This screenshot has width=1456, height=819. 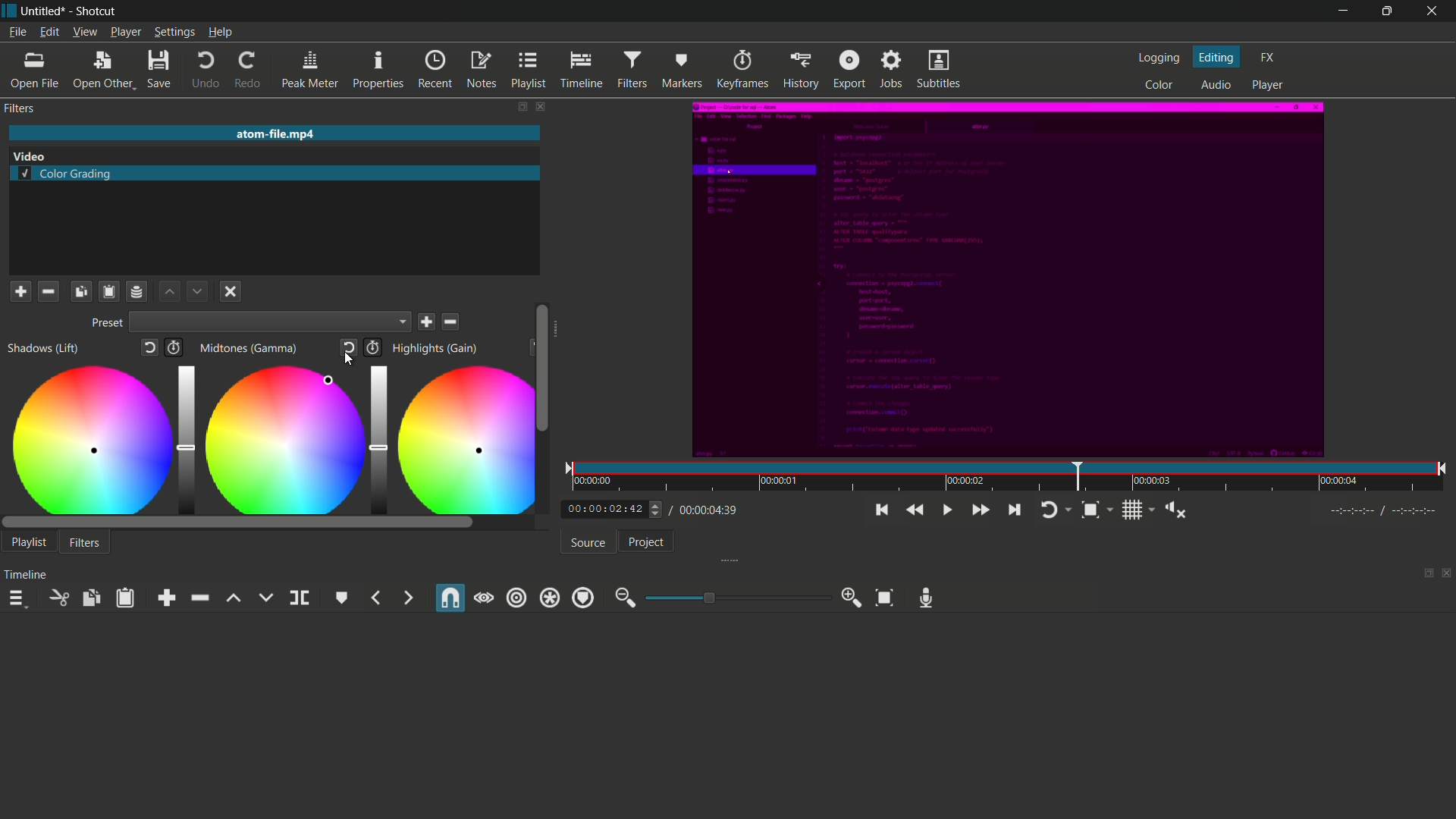 I want to click on create or edit marker, so click(x=342, y=598).